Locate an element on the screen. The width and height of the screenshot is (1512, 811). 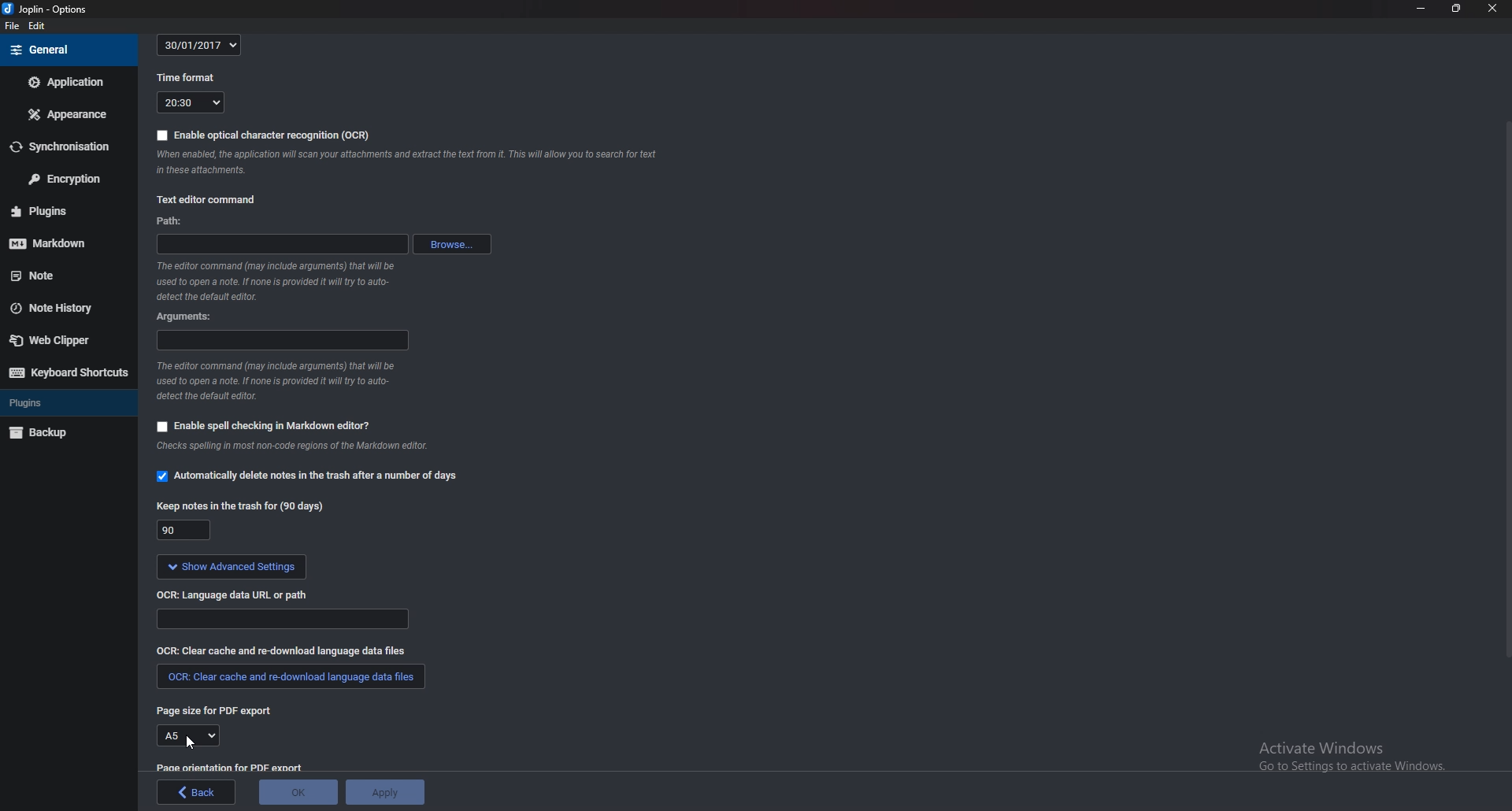
path is located at coordinates (177, 220).